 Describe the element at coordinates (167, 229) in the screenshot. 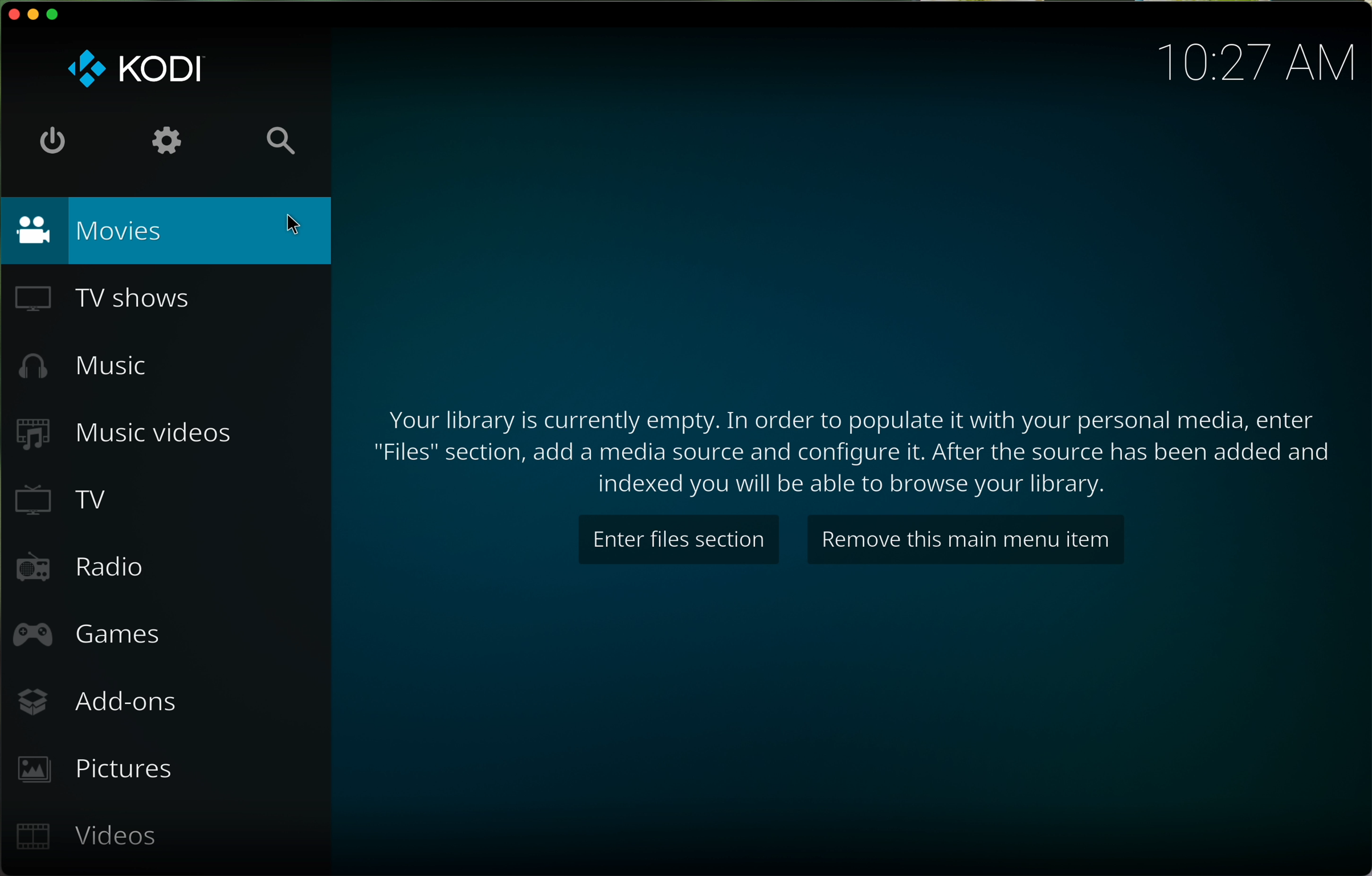

I see `movies button` at that location.